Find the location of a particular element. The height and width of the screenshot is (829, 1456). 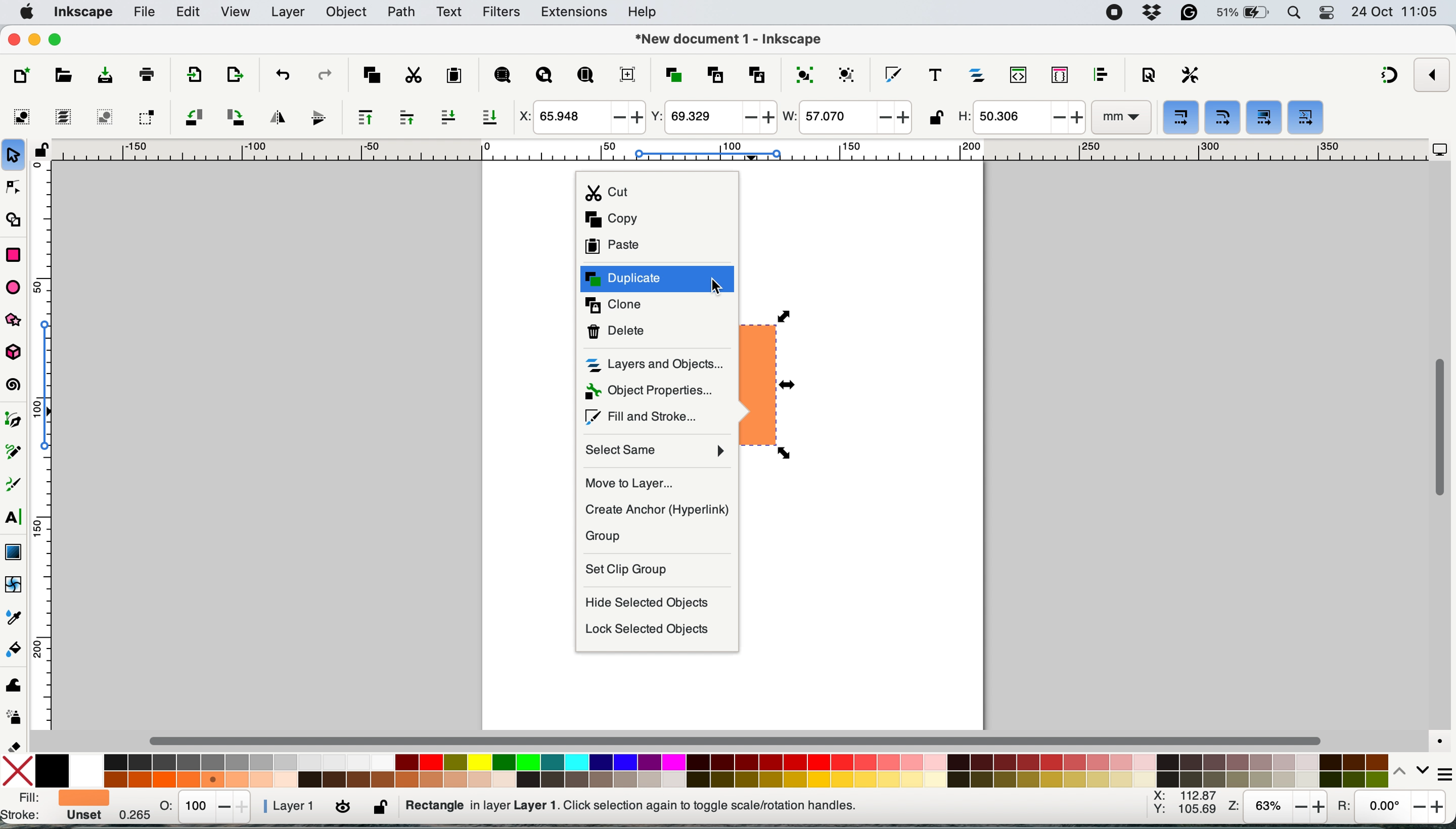

object propeties is located at coordinates (650, 391).